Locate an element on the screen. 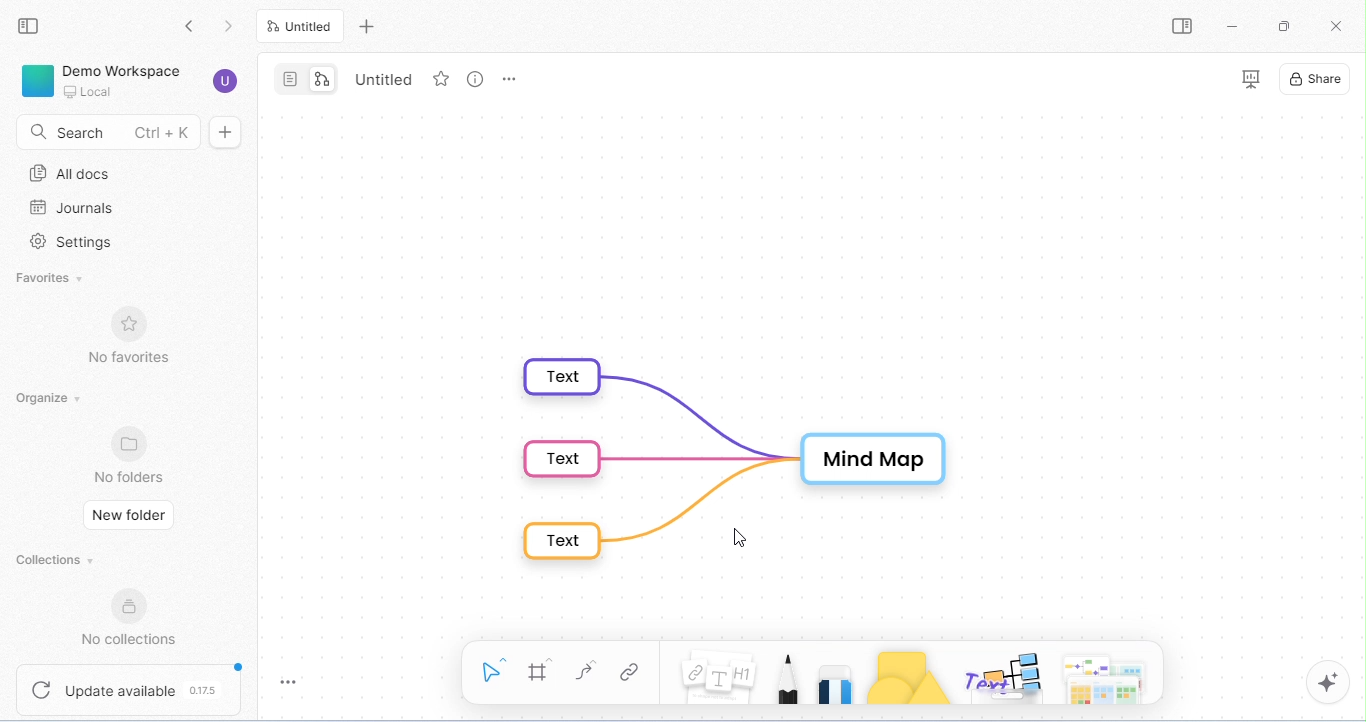 Image resolution: width=1366 pixels, height=722 pixels. favorite is located at coordinates (444, 79).